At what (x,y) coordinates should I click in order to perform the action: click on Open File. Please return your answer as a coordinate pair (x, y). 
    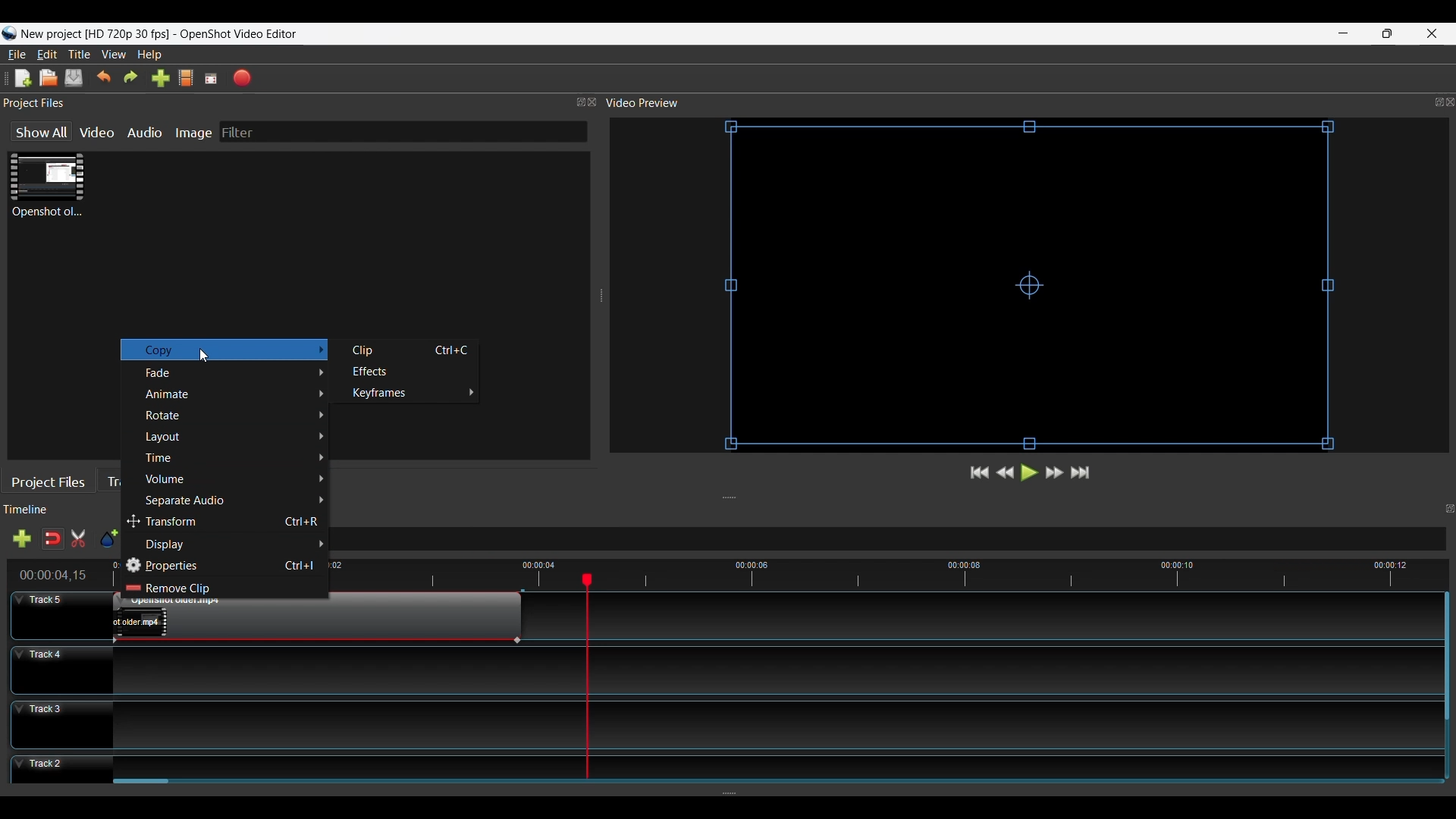
    Looking at the image, I should click on (48, 78).